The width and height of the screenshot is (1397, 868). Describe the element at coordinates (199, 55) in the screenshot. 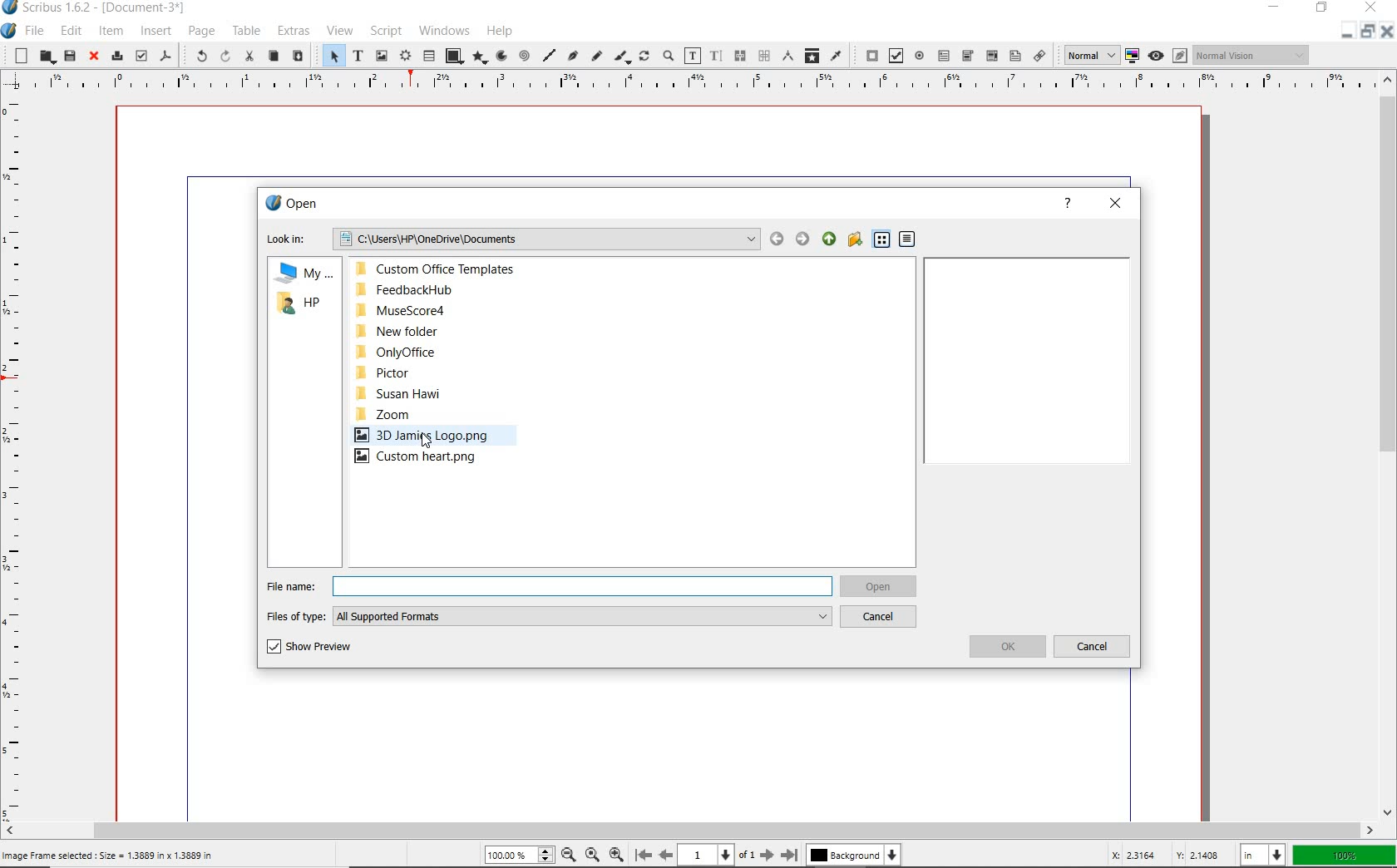

I see `UNDO` at that location.